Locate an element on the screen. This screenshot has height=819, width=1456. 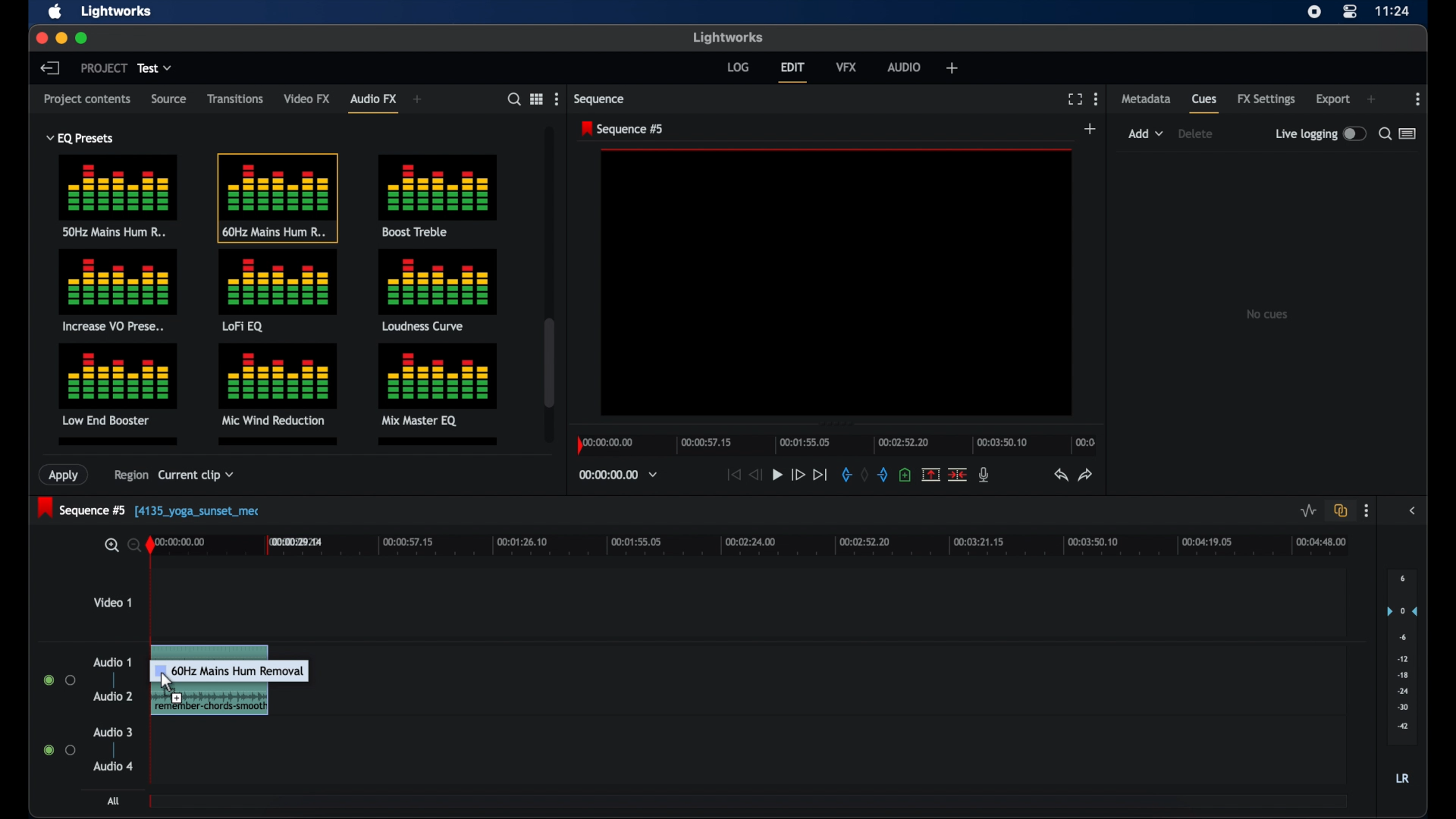
video 1 is located at coordinates (112, 602).